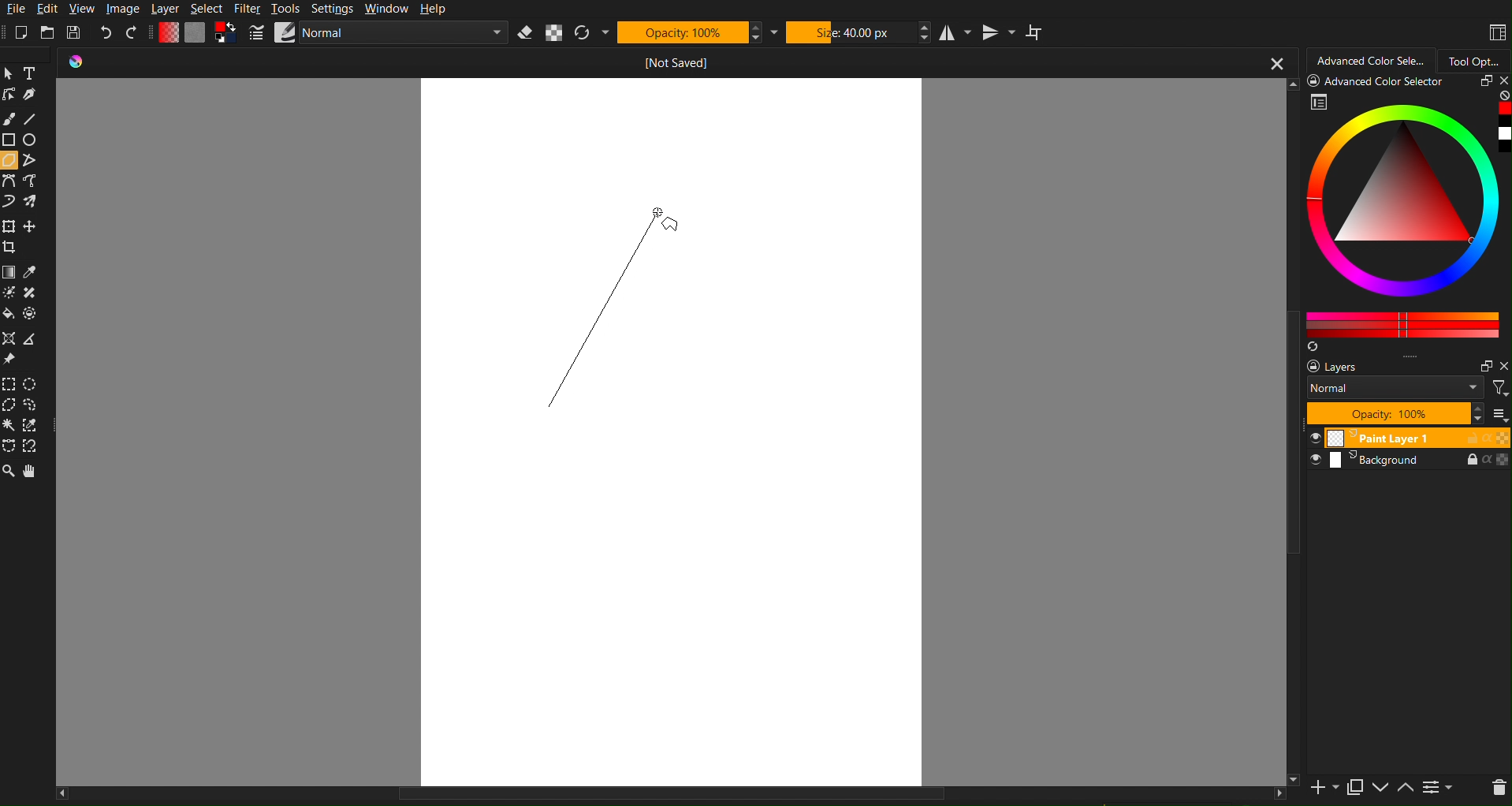 The image size is (1512, 806). I want to click on Save, so click(76, 32).